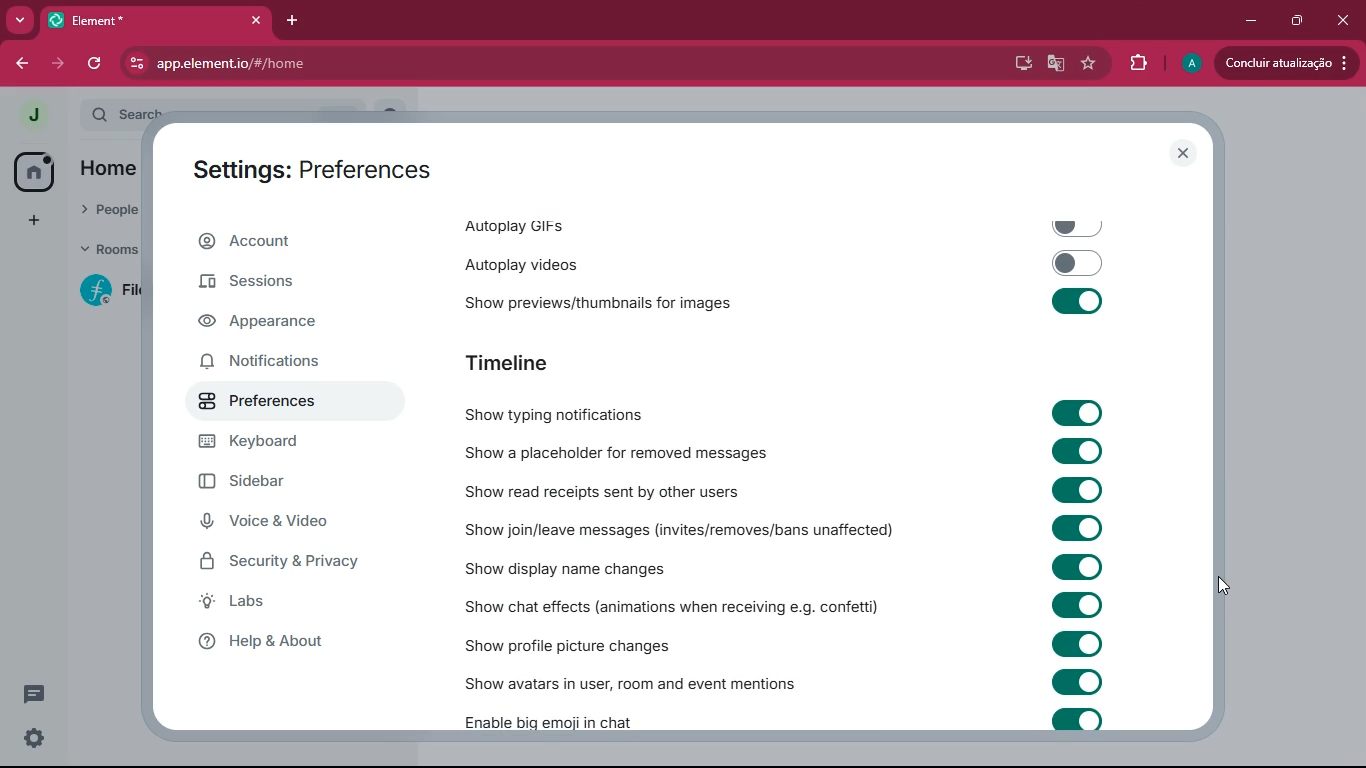 The height and width of the screenshot is (768, 1366). Describe the element at coordinates (58, 66) in the screenshot. I see `forward` at that location.